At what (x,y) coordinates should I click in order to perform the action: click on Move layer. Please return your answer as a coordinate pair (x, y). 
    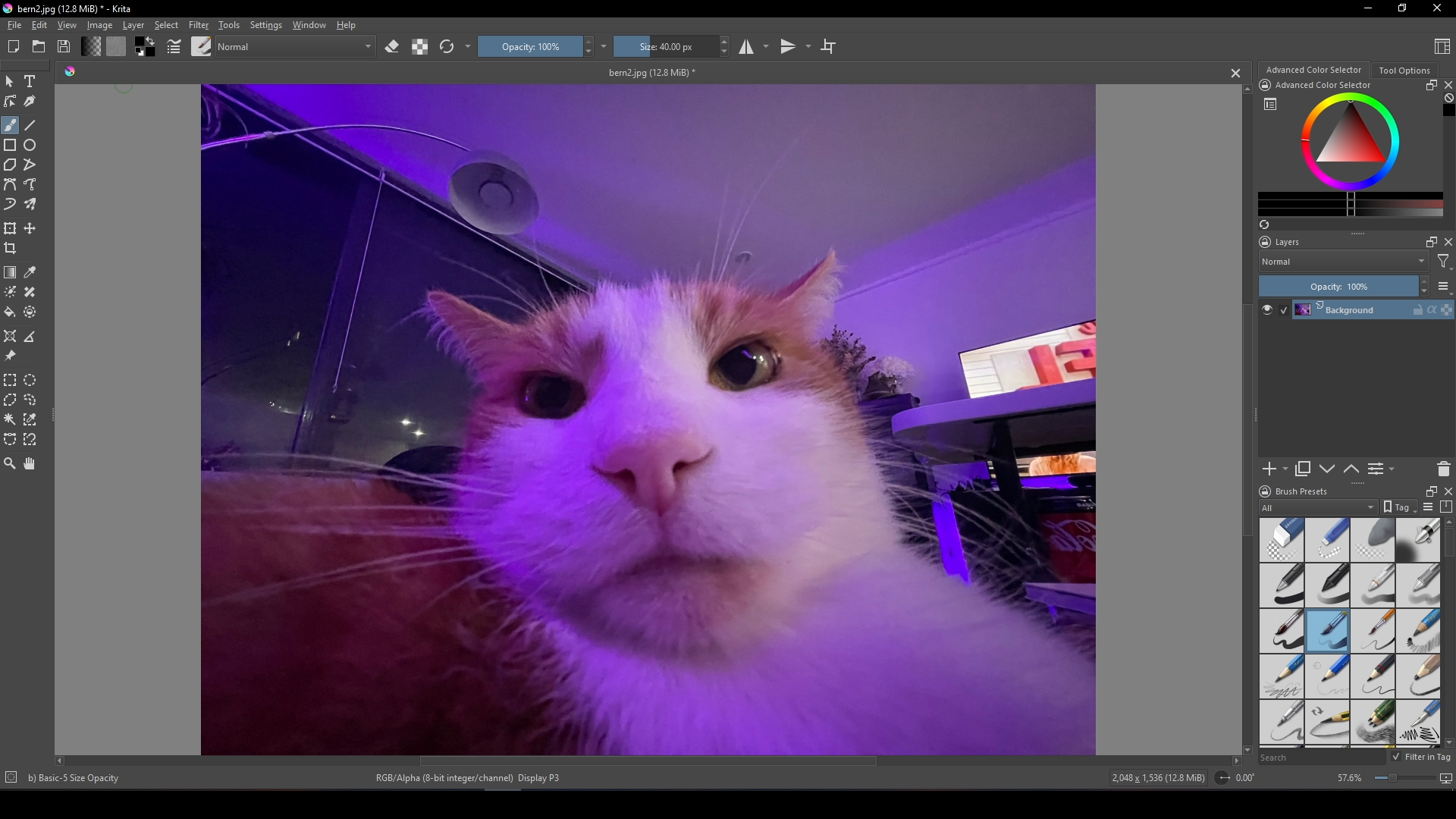
    Looking at the image, I should click on (1327, 469).